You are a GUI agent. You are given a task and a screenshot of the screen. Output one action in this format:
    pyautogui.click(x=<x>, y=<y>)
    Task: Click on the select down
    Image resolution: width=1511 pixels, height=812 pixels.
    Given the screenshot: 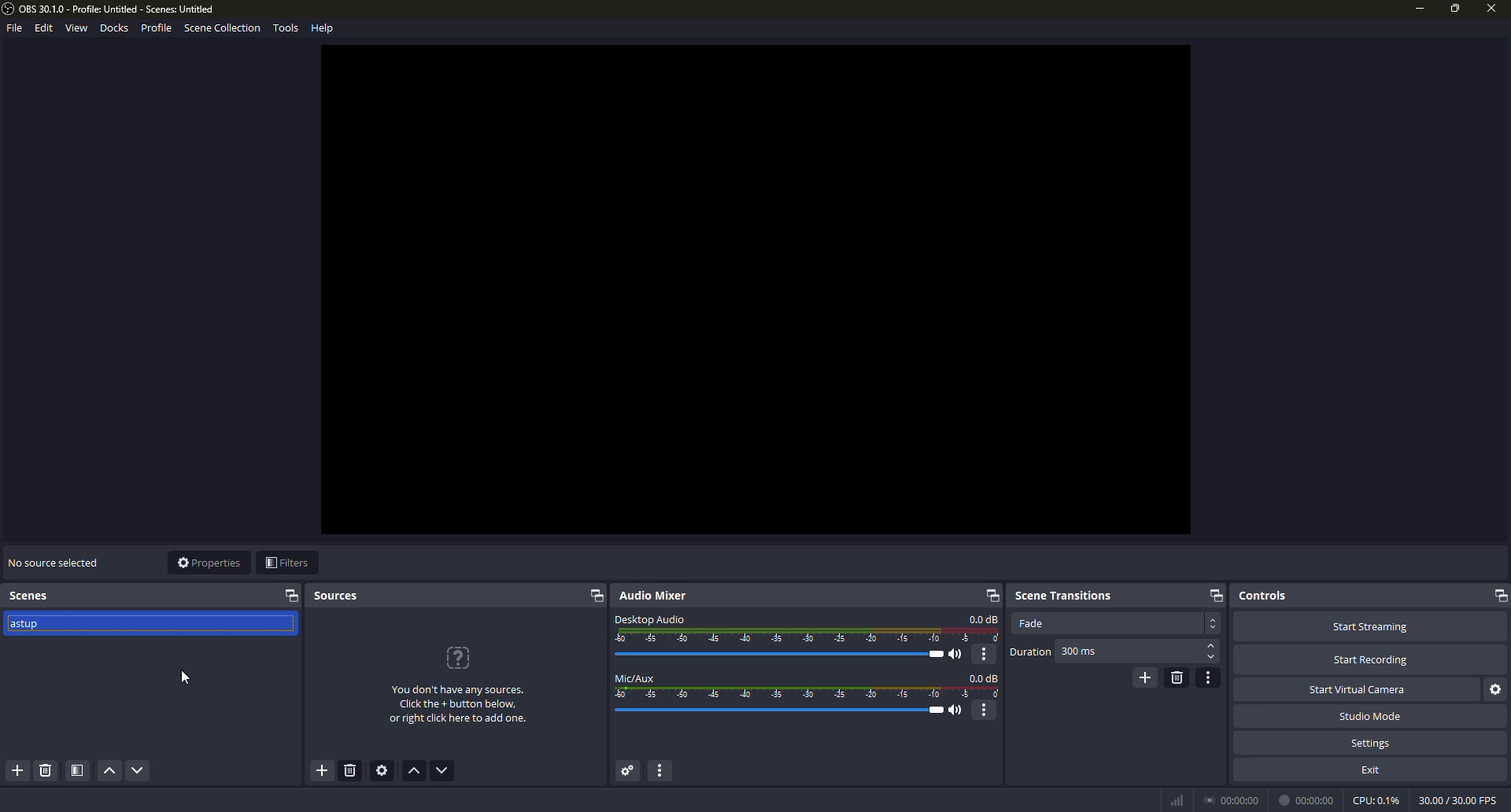 What is the action you would take?
    pyautogui.click(x=1211, y=659)
    